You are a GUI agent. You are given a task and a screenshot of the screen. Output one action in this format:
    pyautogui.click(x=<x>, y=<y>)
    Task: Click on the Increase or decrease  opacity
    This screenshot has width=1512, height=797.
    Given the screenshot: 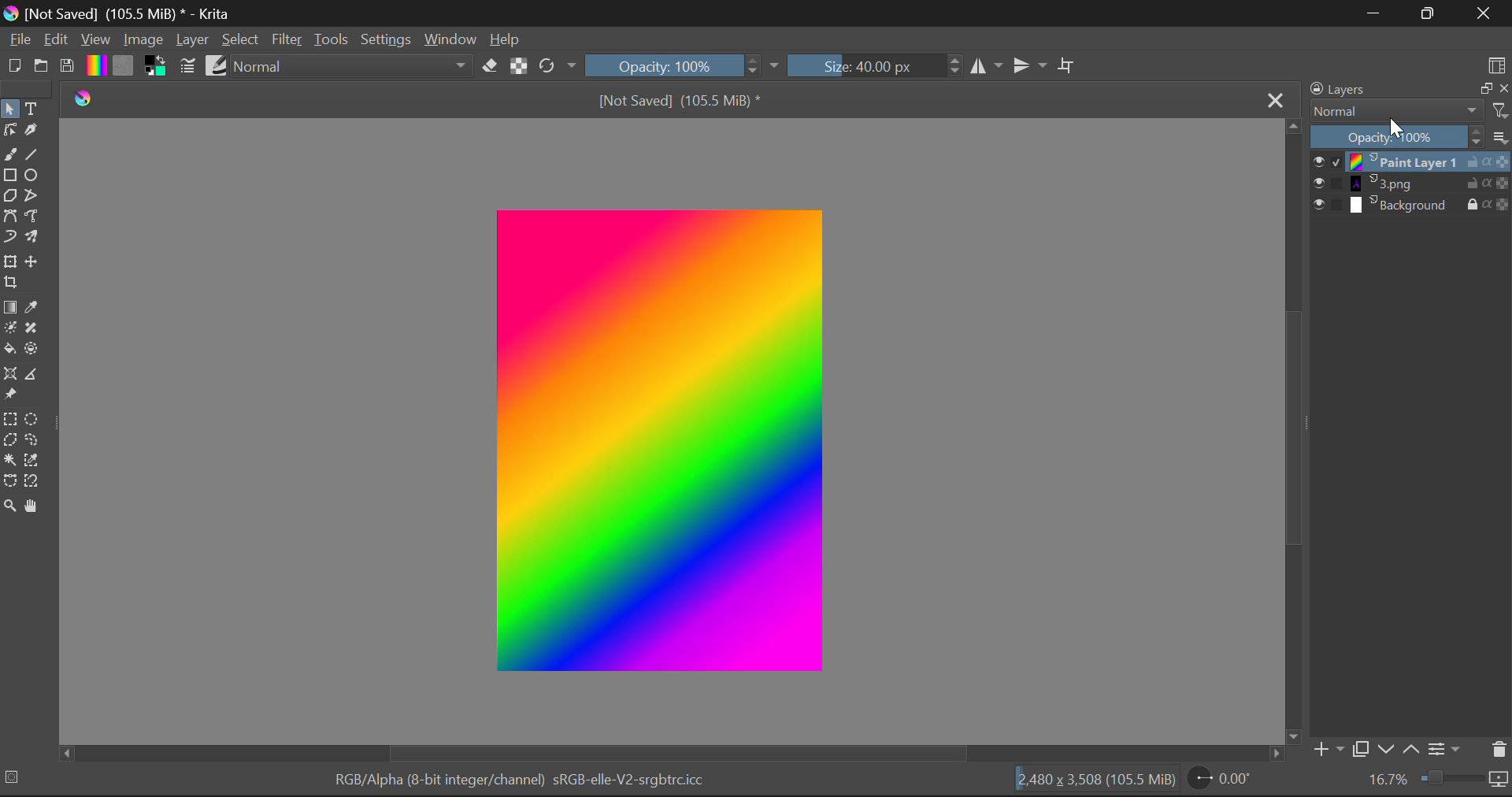 What is the action you would take?
    pyautogui.click(x=754, y=67)
    